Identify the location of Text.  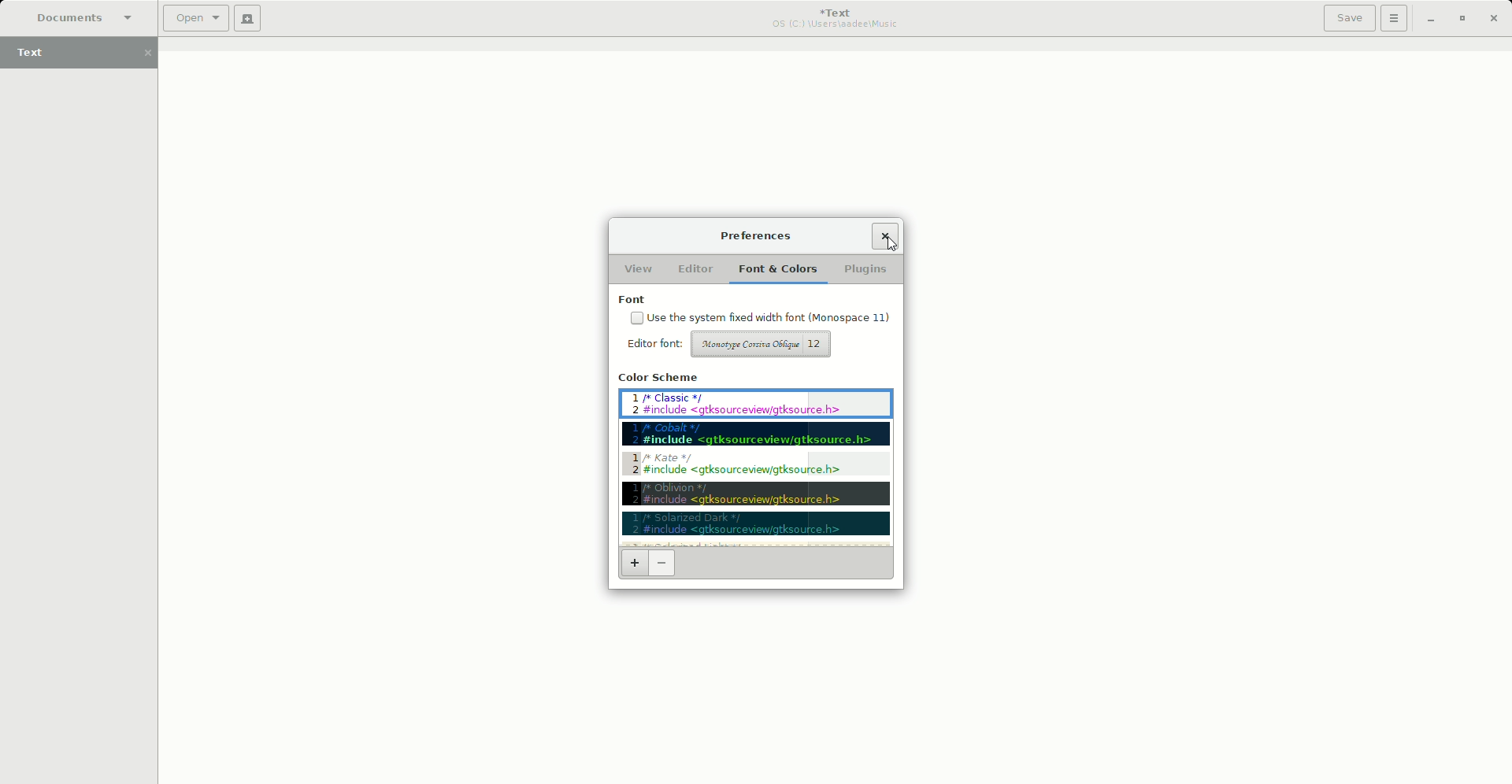
(85, 54).